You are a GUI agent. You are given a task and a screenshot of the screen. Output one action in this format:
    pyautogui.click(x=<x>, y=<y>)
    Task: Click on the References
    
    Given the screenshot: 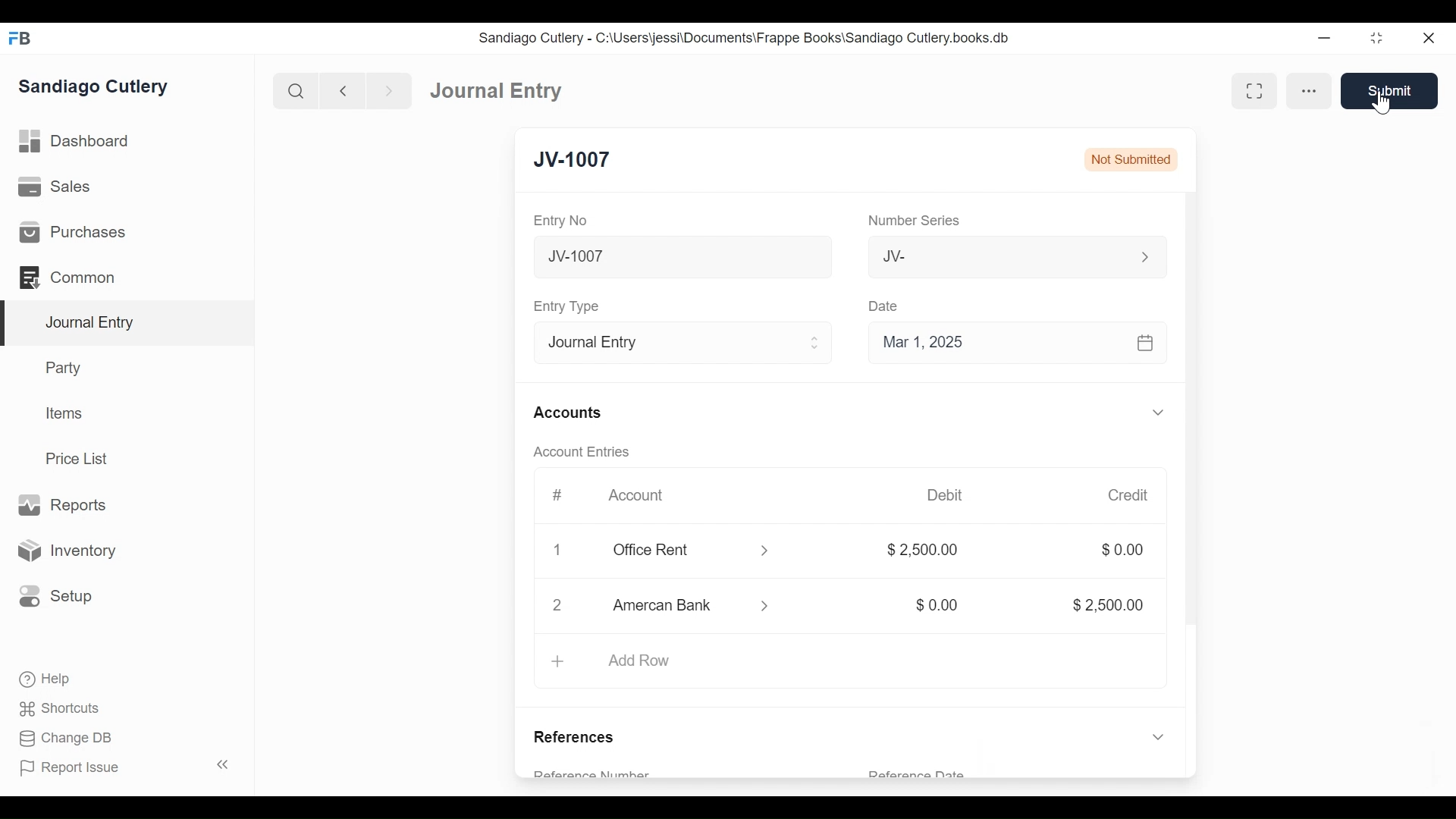 What is the action you would take?
    pyautogui.click(x=580, y=733)
    